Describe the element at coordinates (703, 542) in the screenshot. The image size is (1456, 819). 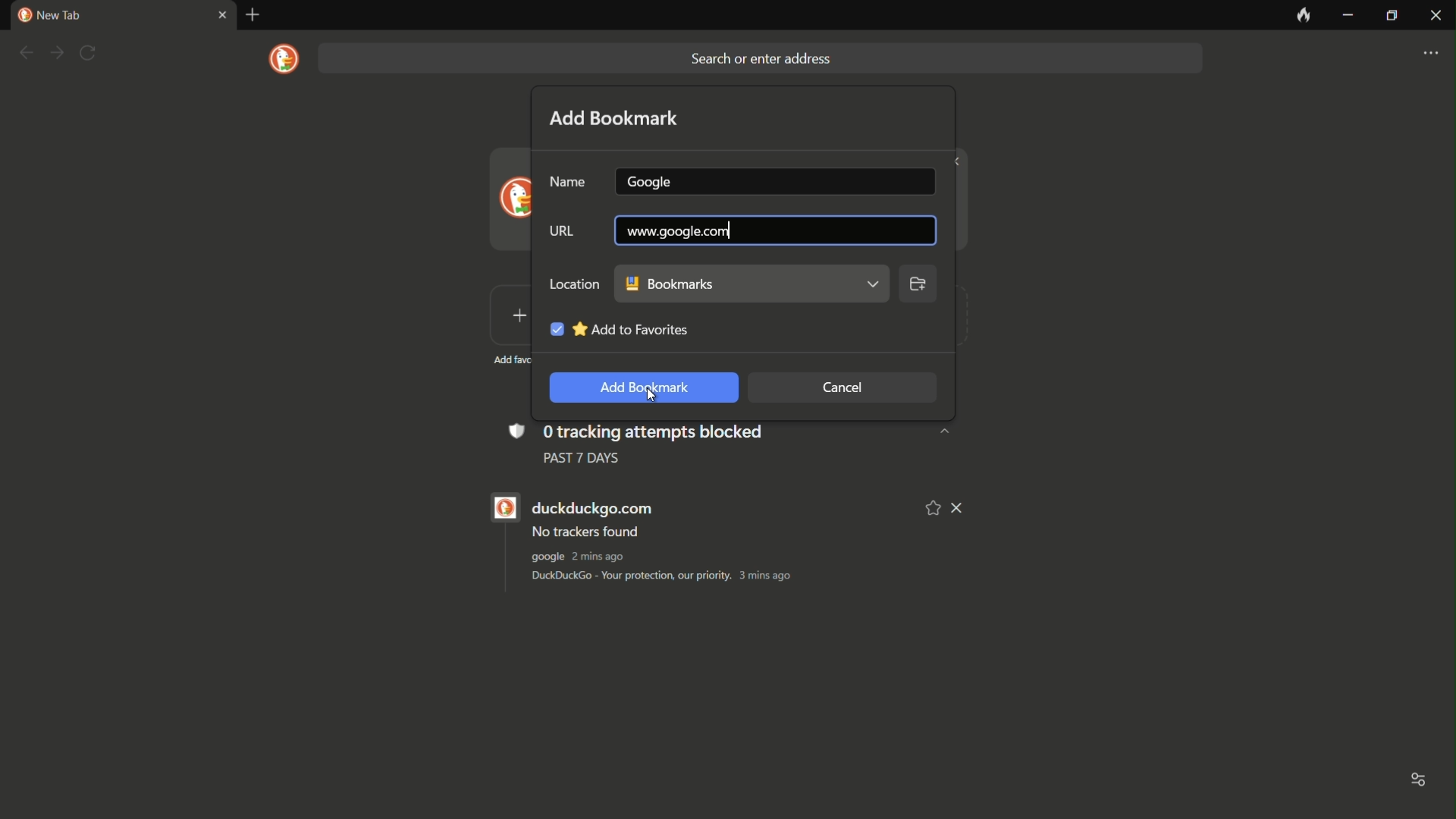
I see `duckduckgo.com

No trackers found

google 1min ago

DuckDuckGo - Your protection, our priority. 2 mins ago` at that location.